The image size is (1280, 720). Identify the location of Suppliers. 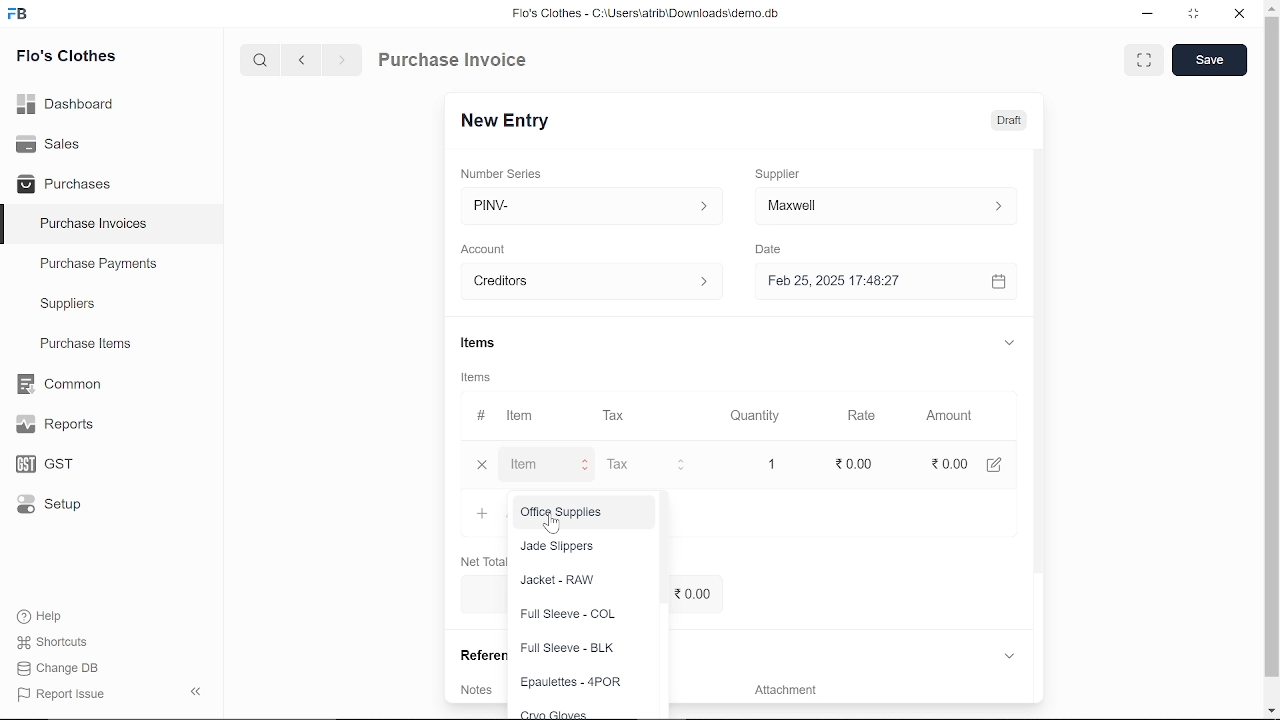
(68, 304).